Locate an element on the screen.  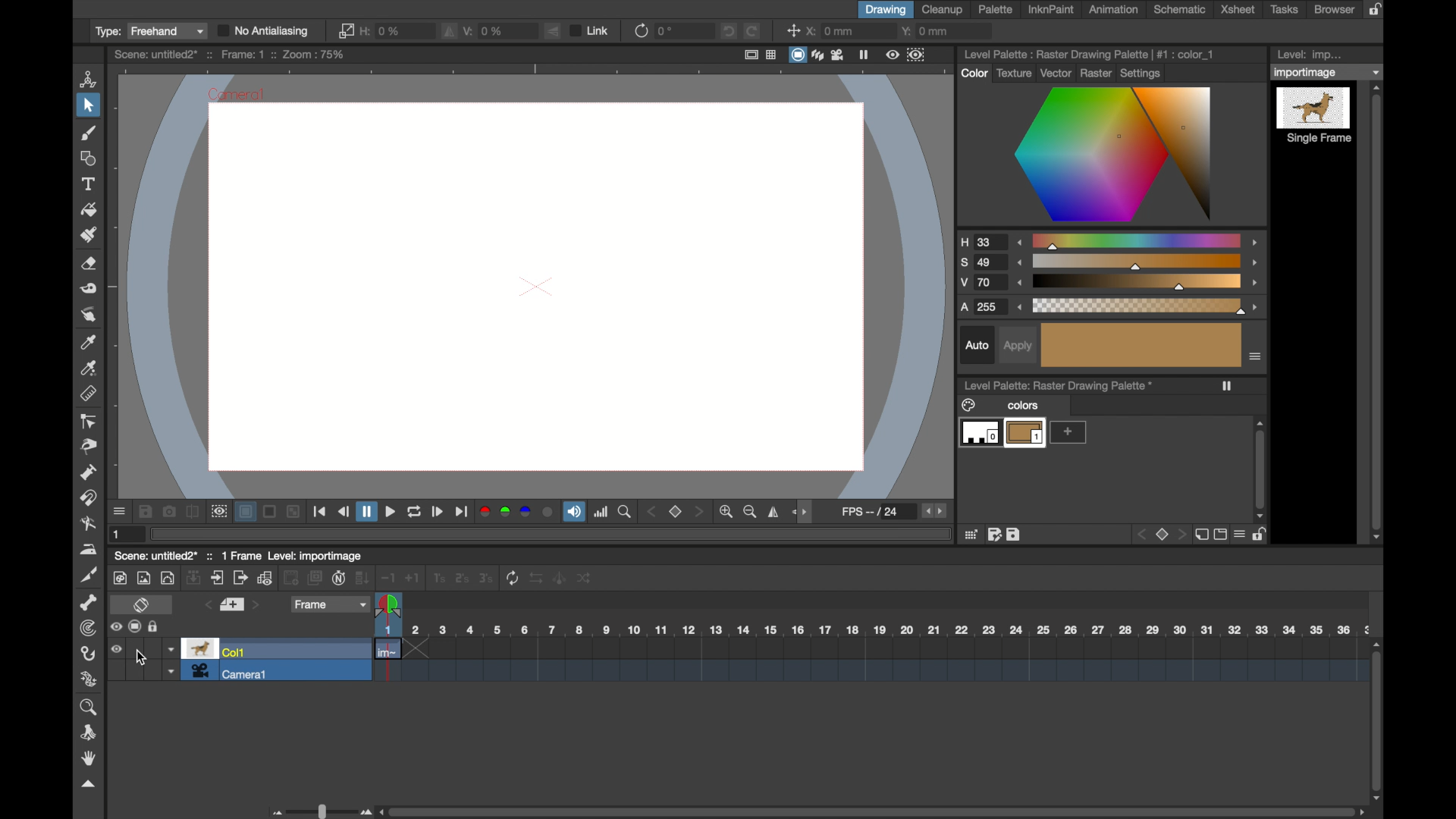
screen is located at coordinates (1219, 535).